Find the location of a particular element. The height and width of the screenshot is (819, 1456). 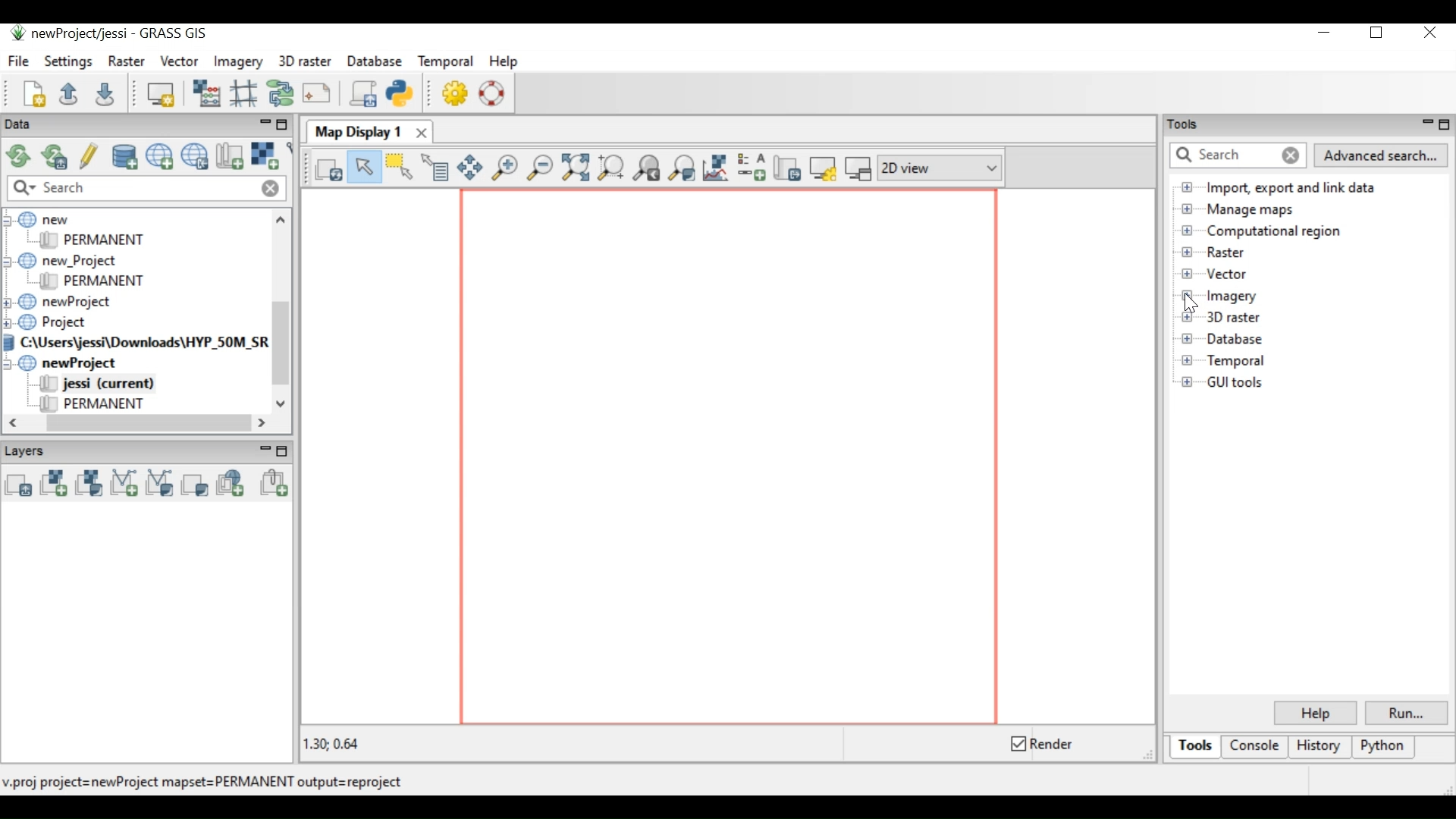

Allow edits outside current mapset is located at coordinates (89, 157).